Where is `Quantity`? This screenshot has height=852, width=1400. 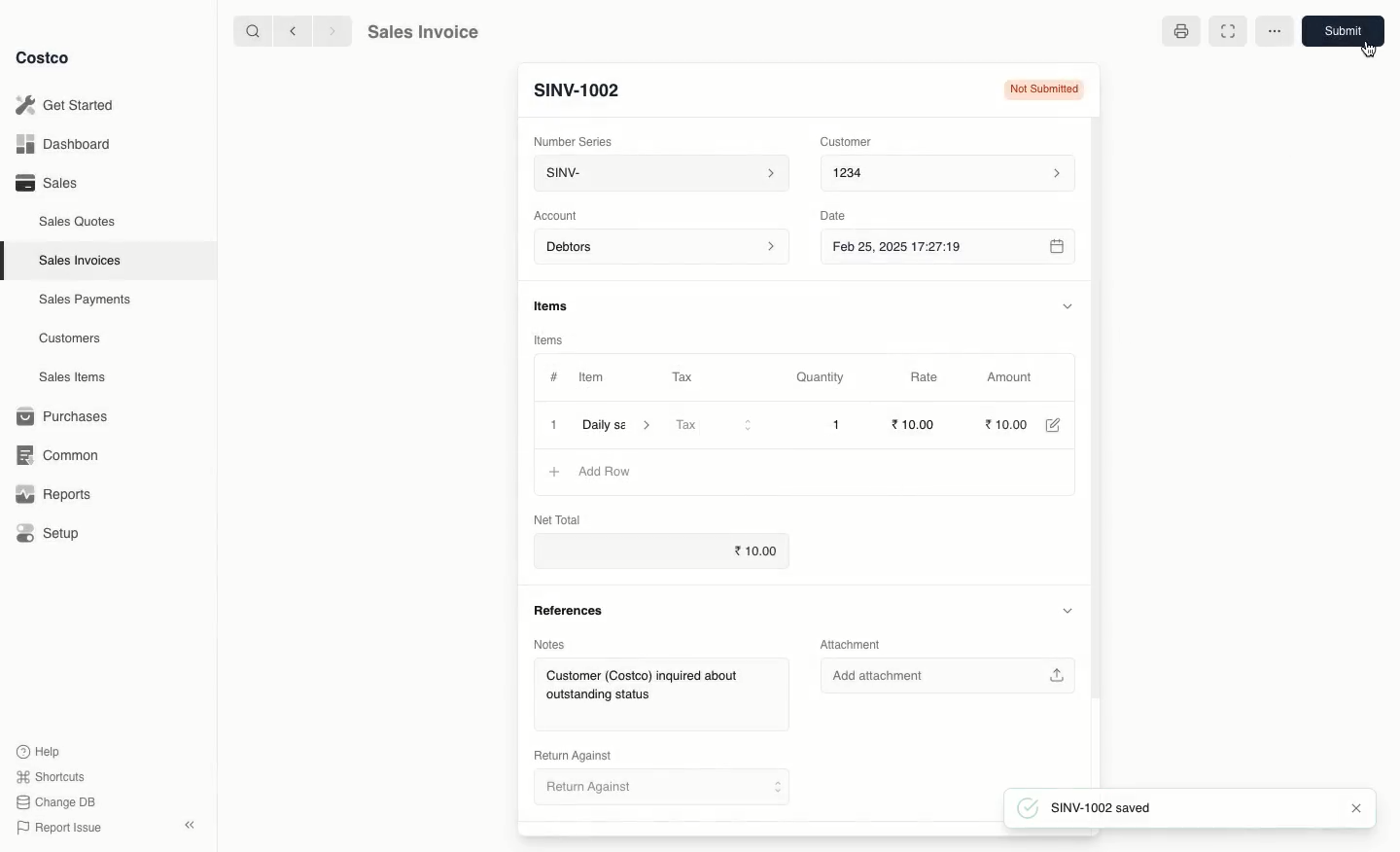
Quantity is located at coordinates (825, 378).